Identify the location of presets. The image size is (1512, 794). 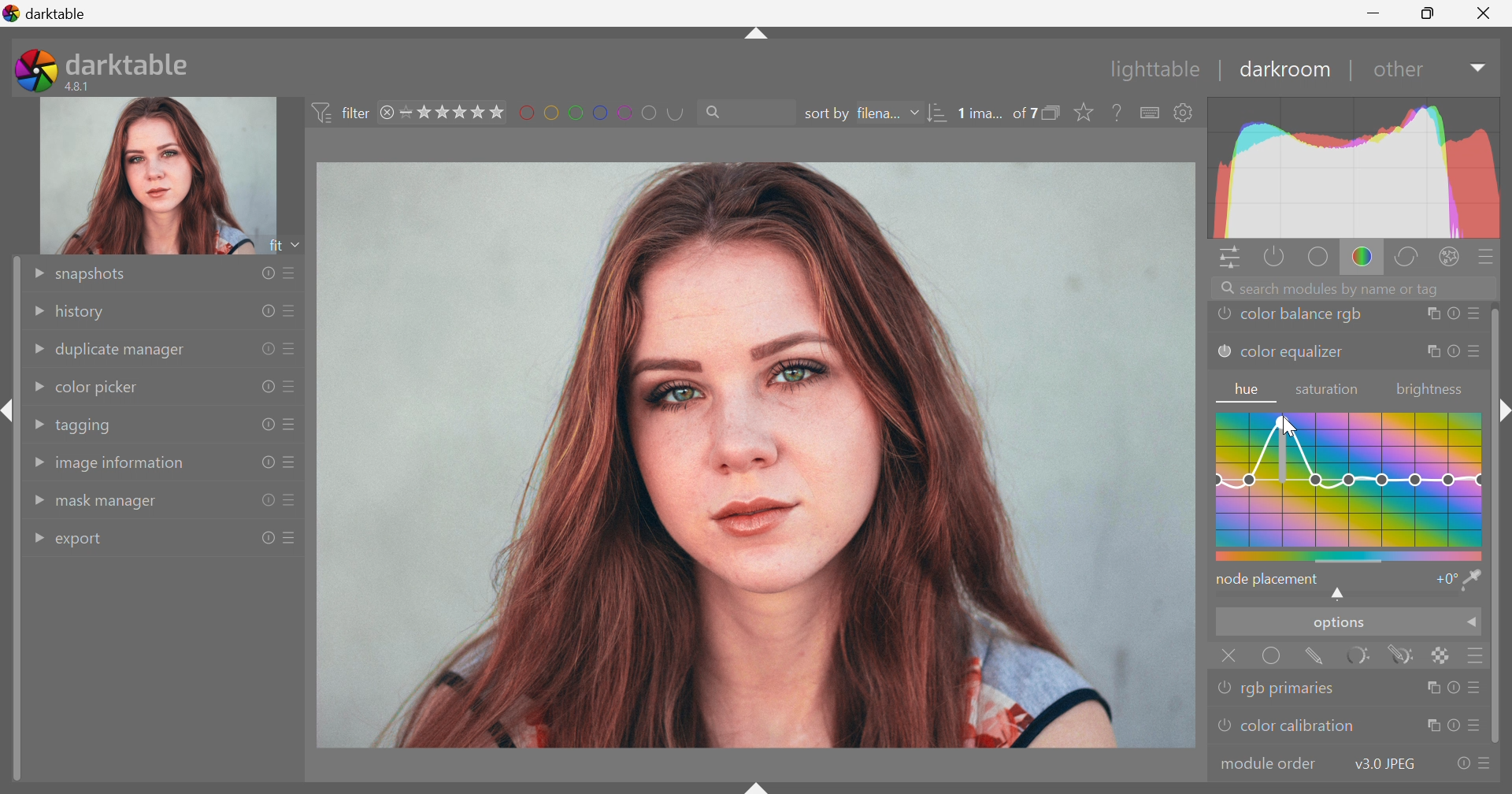
(292, 425).